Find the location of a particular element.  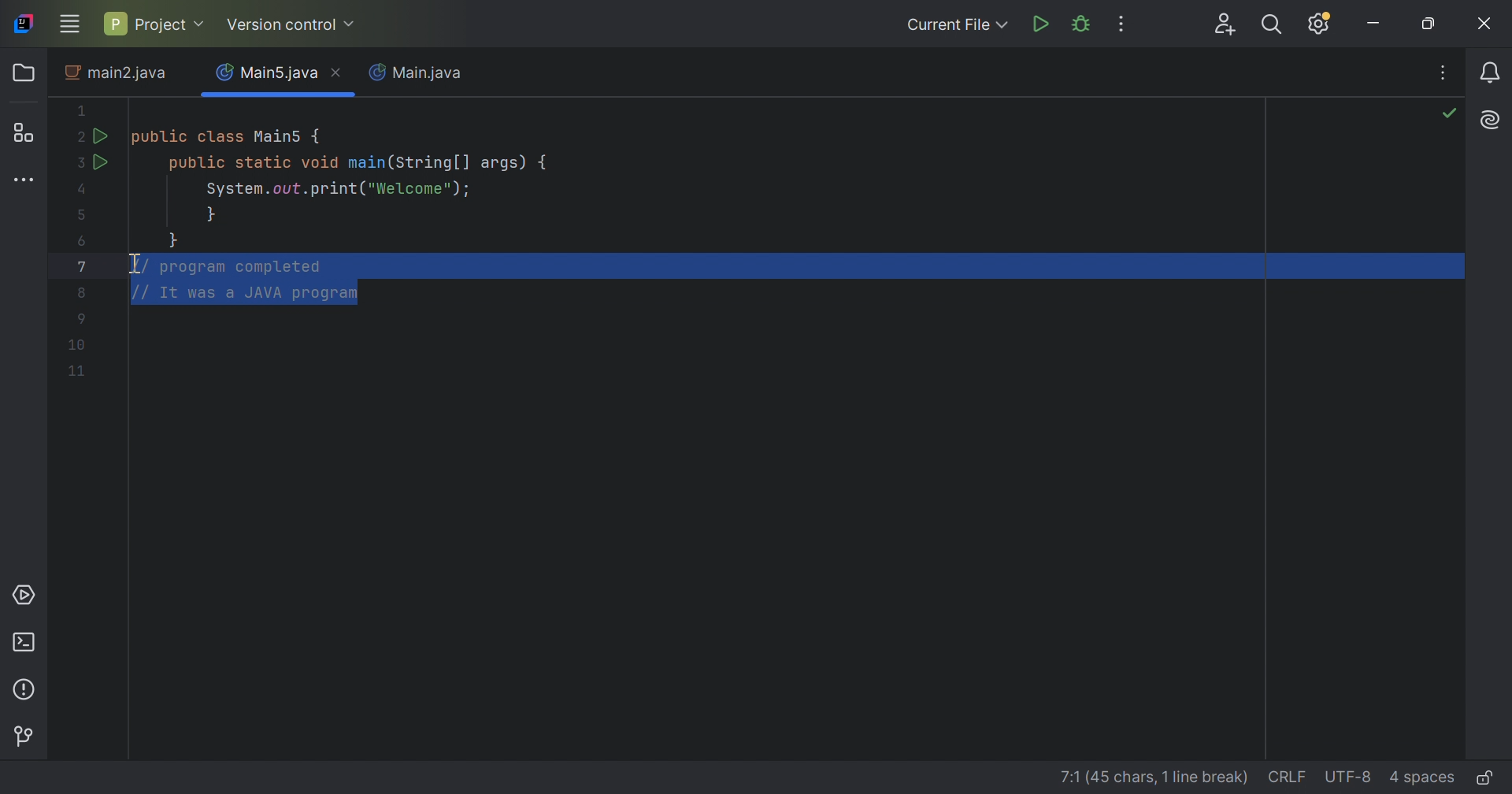

comments selected is located at coordinates (230, 280).